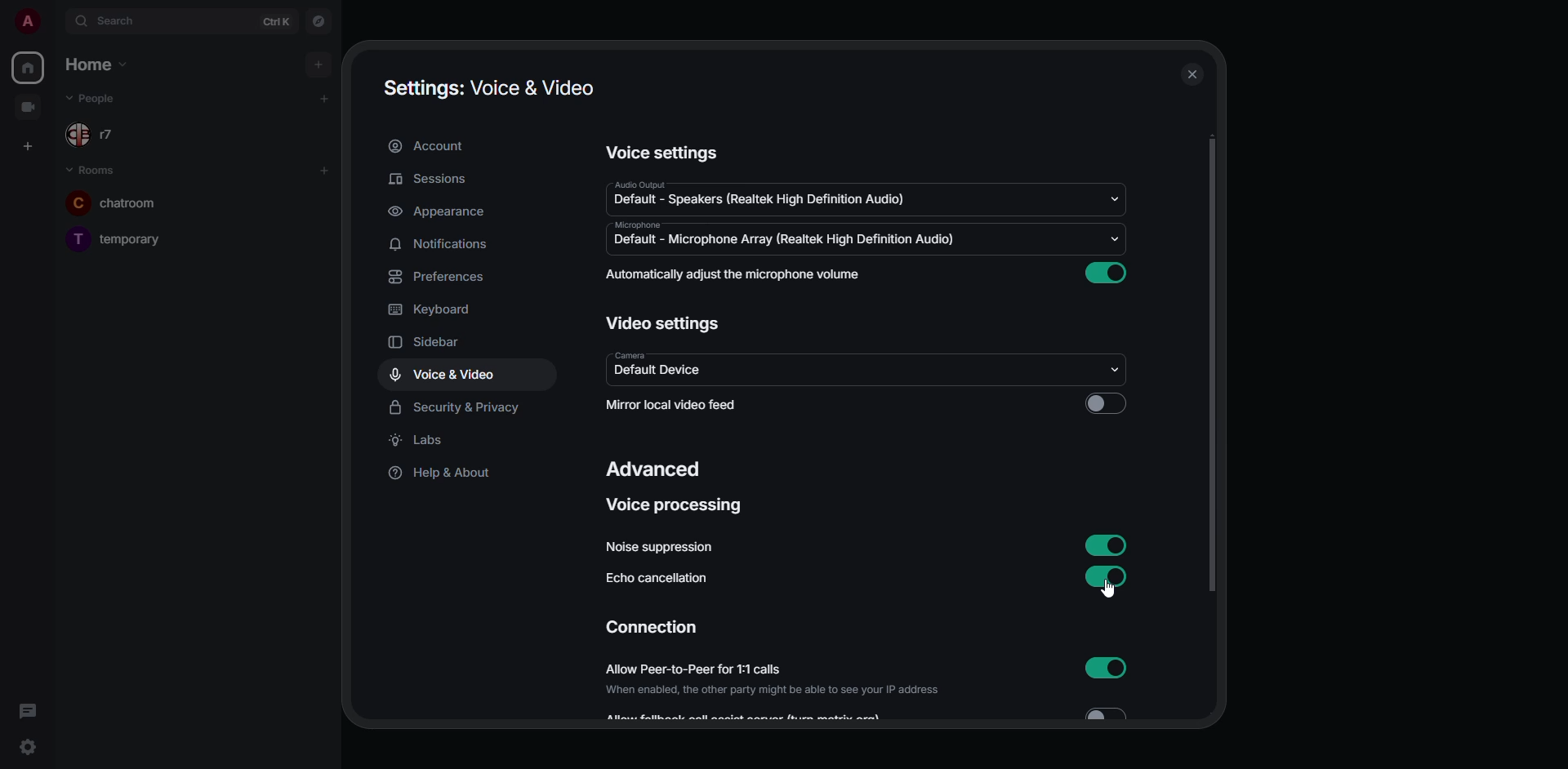  I want to click on sidebar, so click(439, 340).